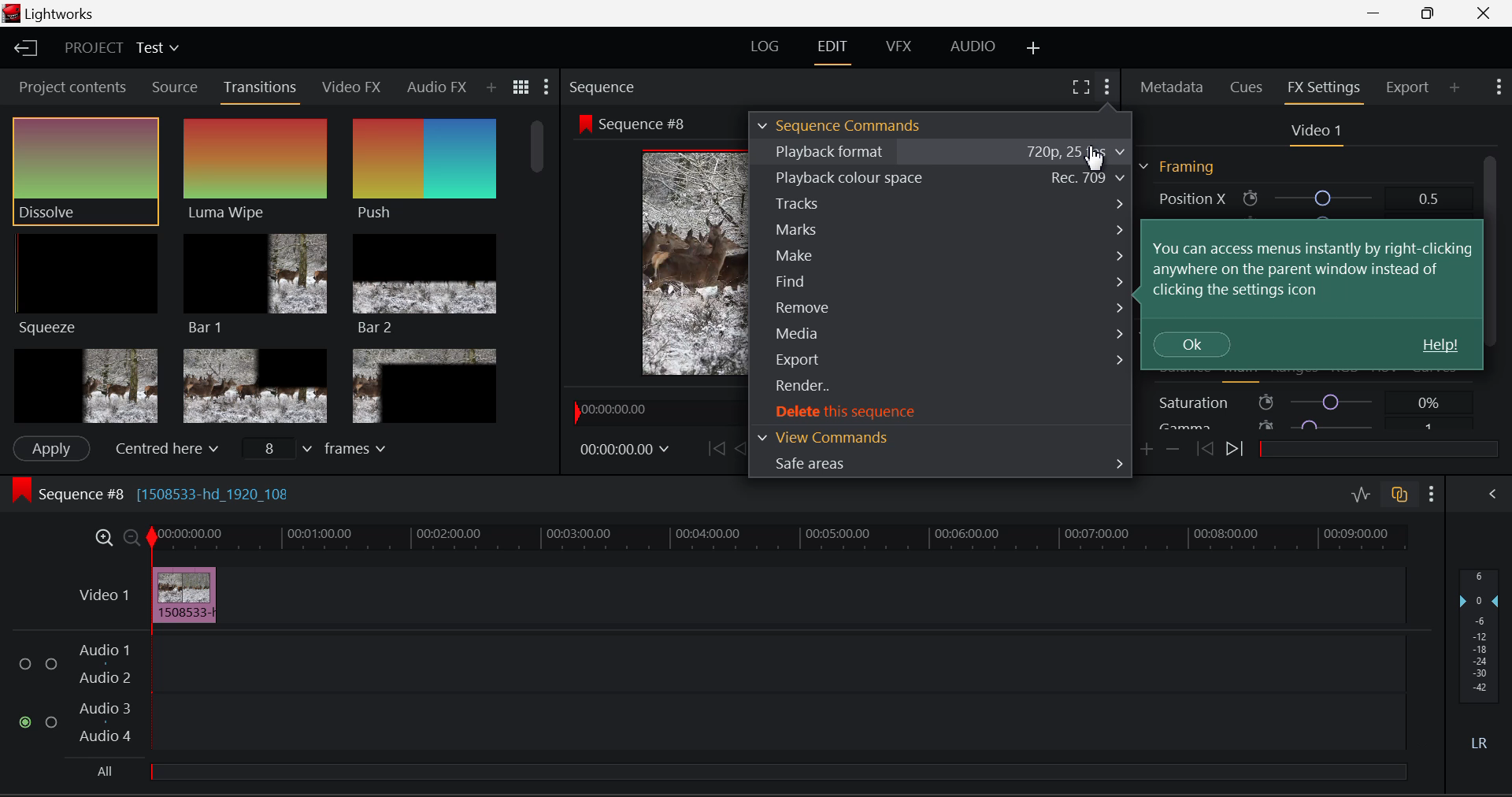 Image resolution: width=1512 pixels, height=797 pixels. What do you see at coordinates (1315, 297) in the screenshot?
I see `Application Assistant Tip` at bounding box center [1315, 297].